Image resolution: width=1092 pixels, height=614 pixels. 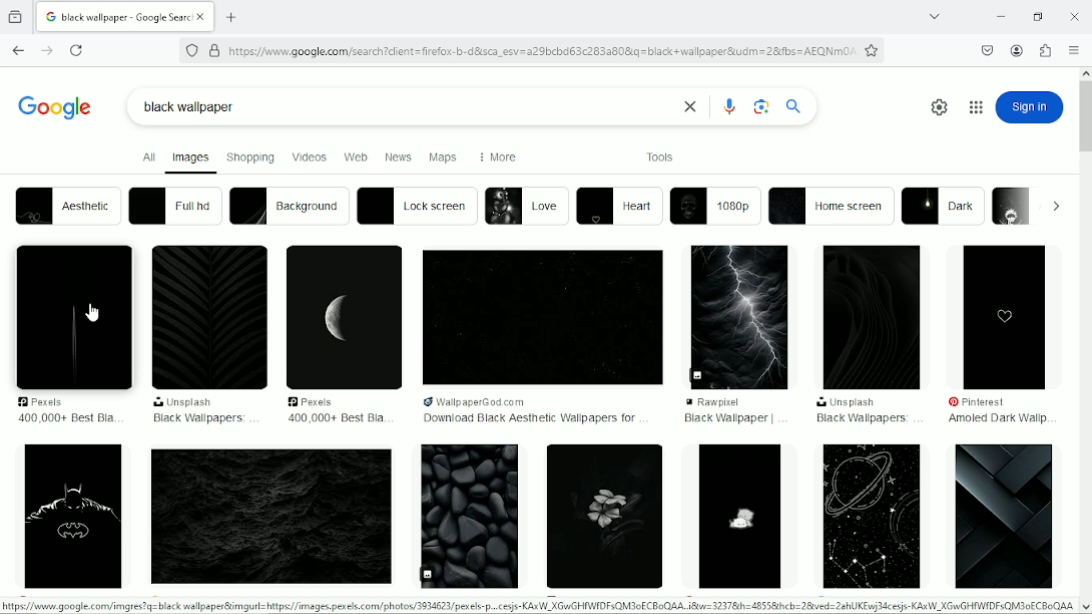 What do you see at coordinates (1039, 16) in the screenshot?
I see `restore down` at bounding box center [1039, 16].